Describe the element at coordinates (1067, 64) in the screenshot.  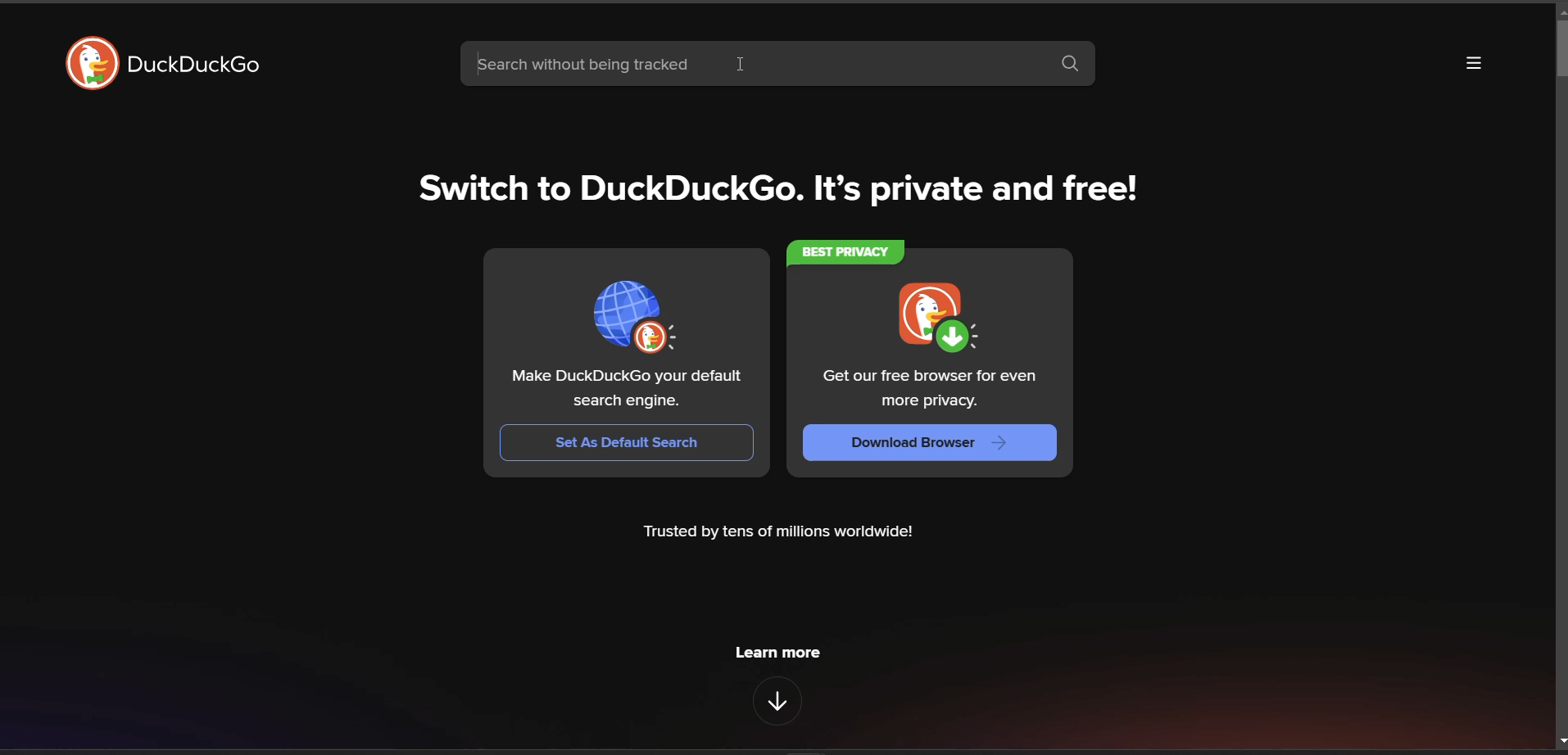
I see `search` at that location.